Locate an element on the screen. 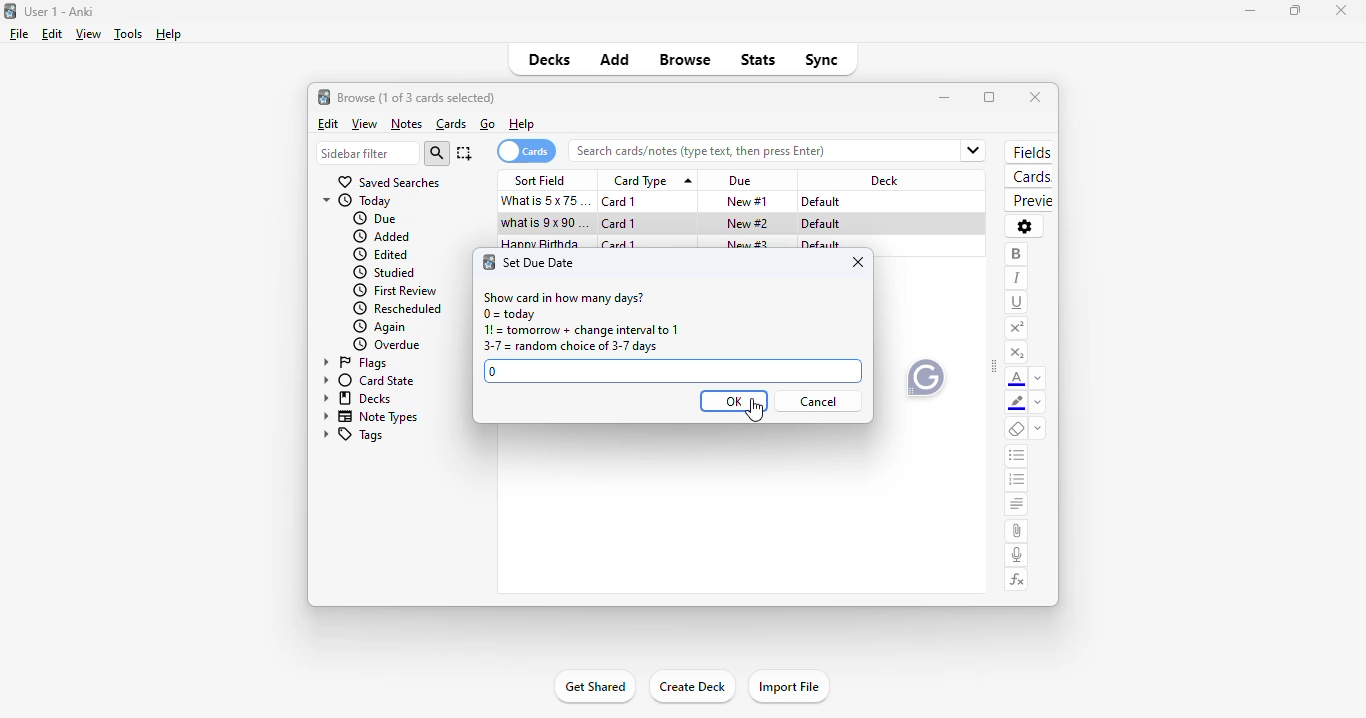  file is located at coordinates (19, 34).